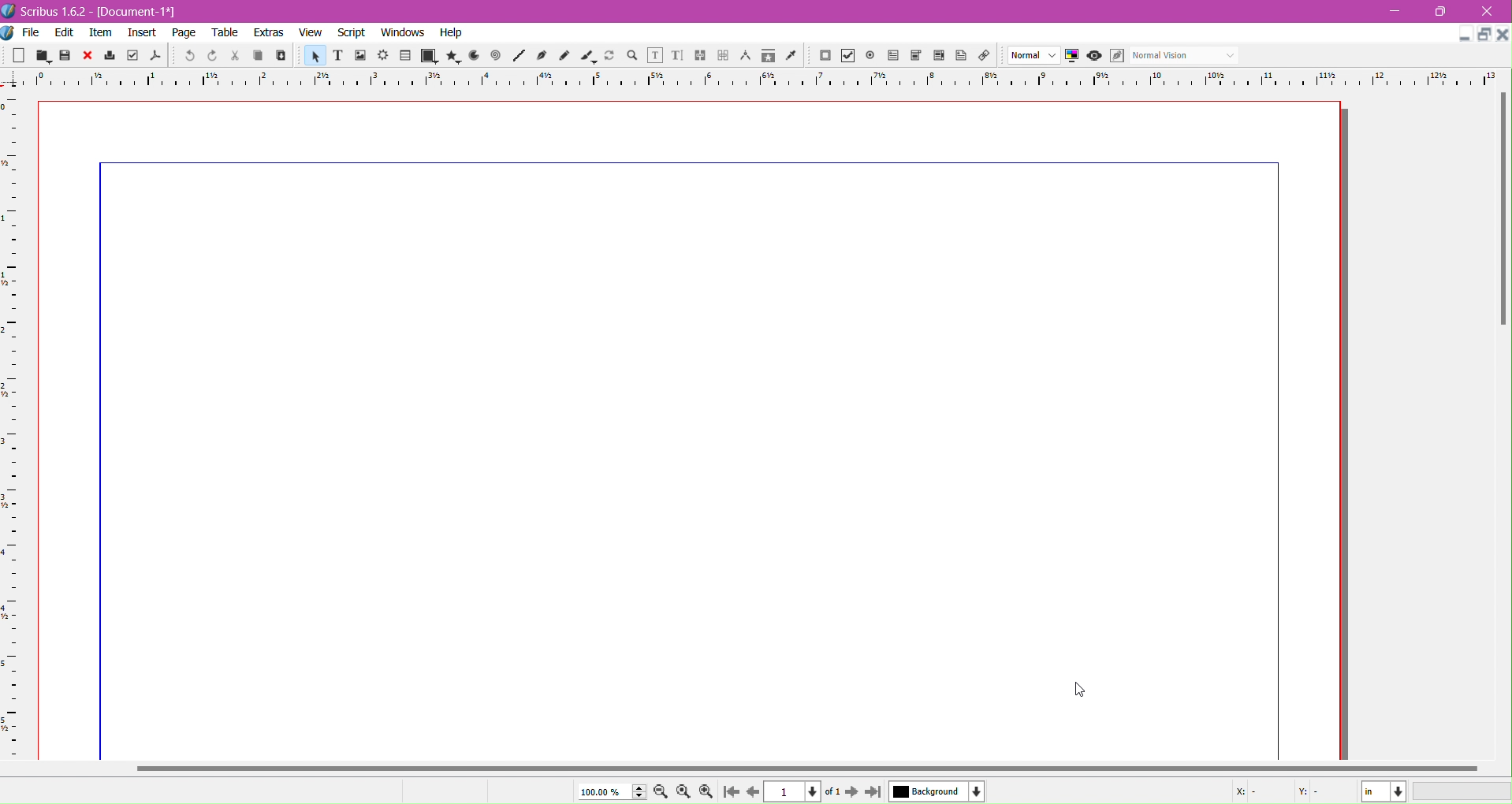  Describe the element at coordinates (662, 793) in the screenshot. I see `zoom out` at that location.